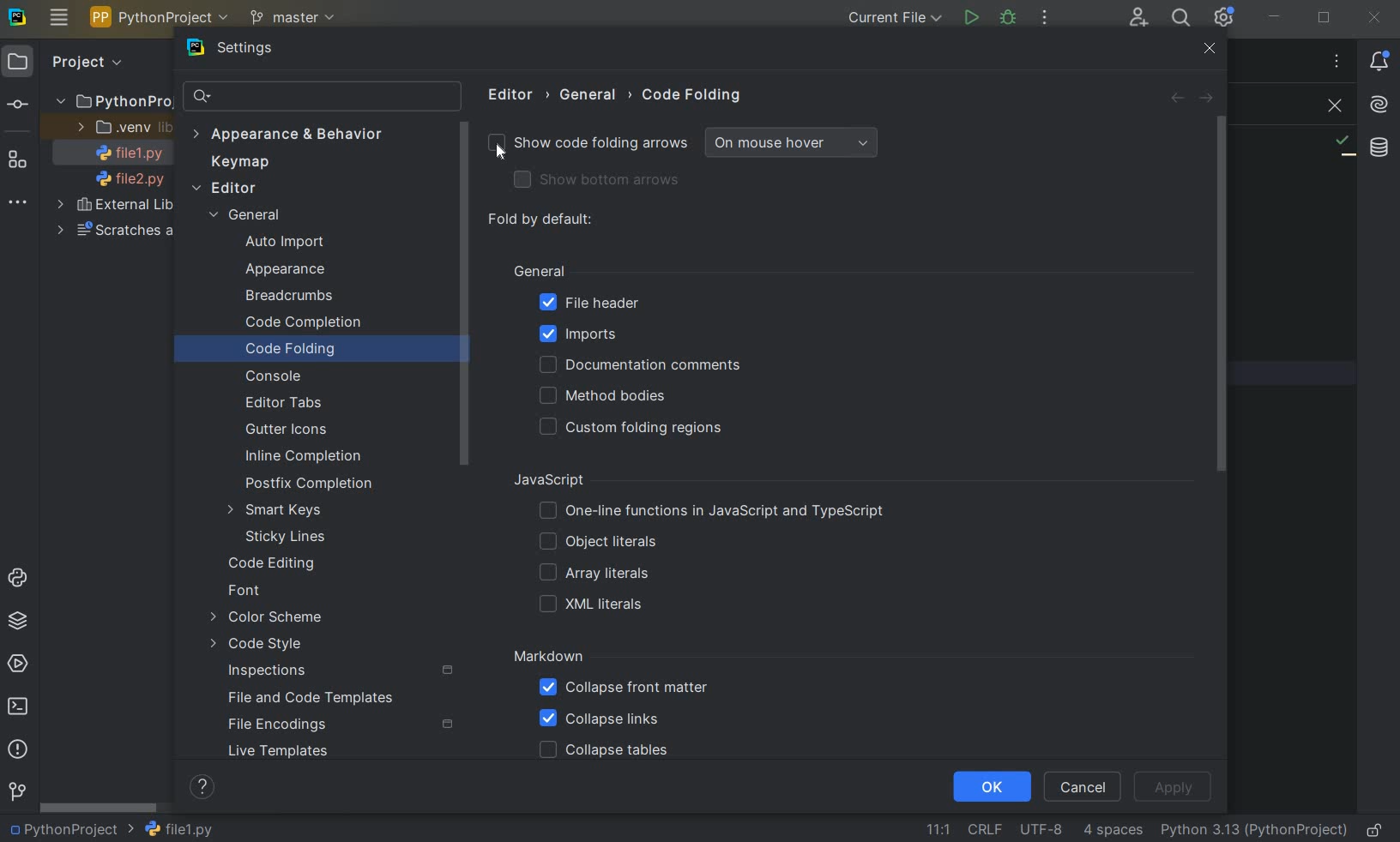 The height and width of the screenshot is (842, 1400). Describe the element at coordinates (17, 105) in the screenshot. I see `COMMIT` at that location.